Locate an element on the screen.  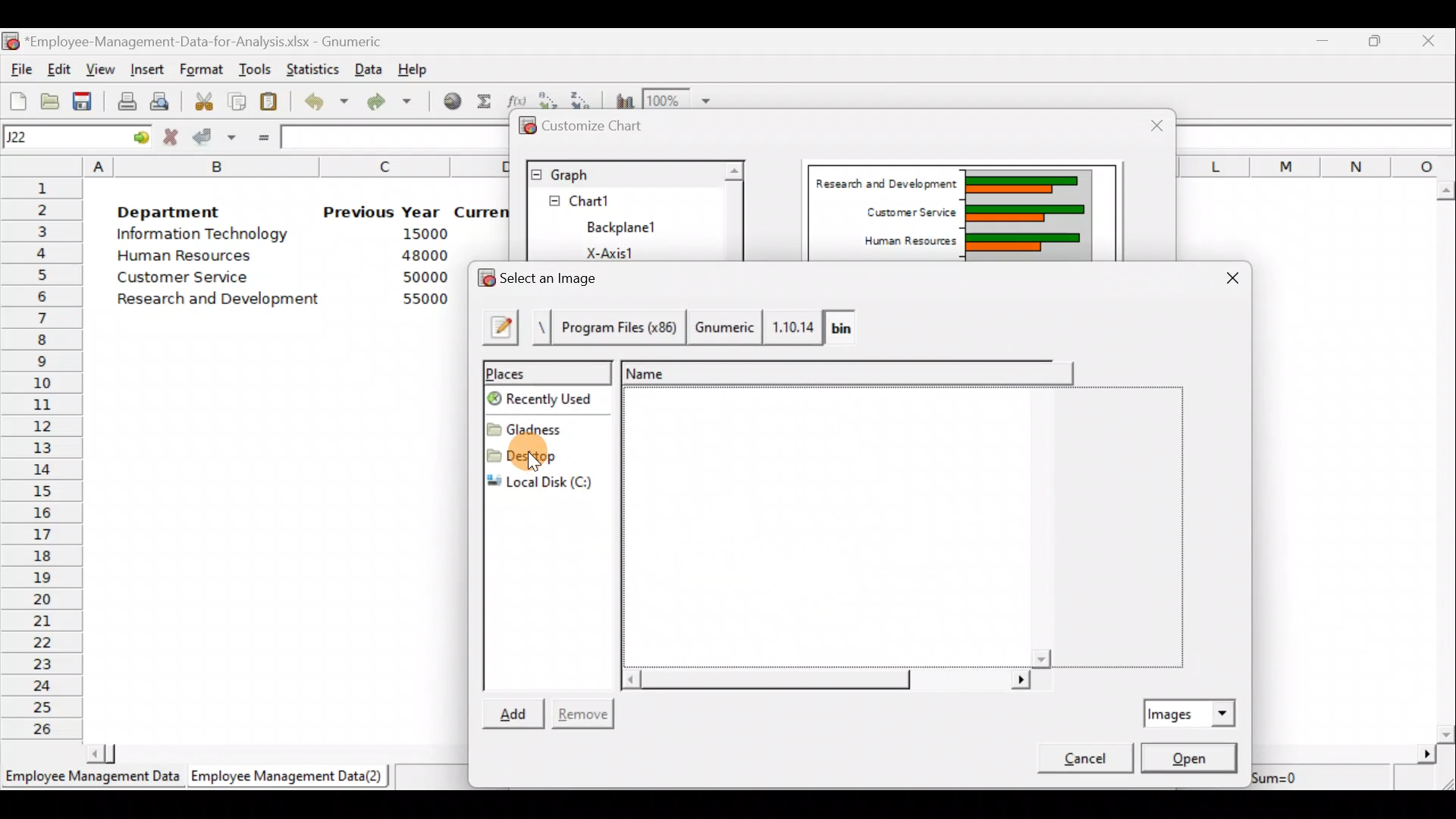
Previous Year is located at coordinates (383, 211).